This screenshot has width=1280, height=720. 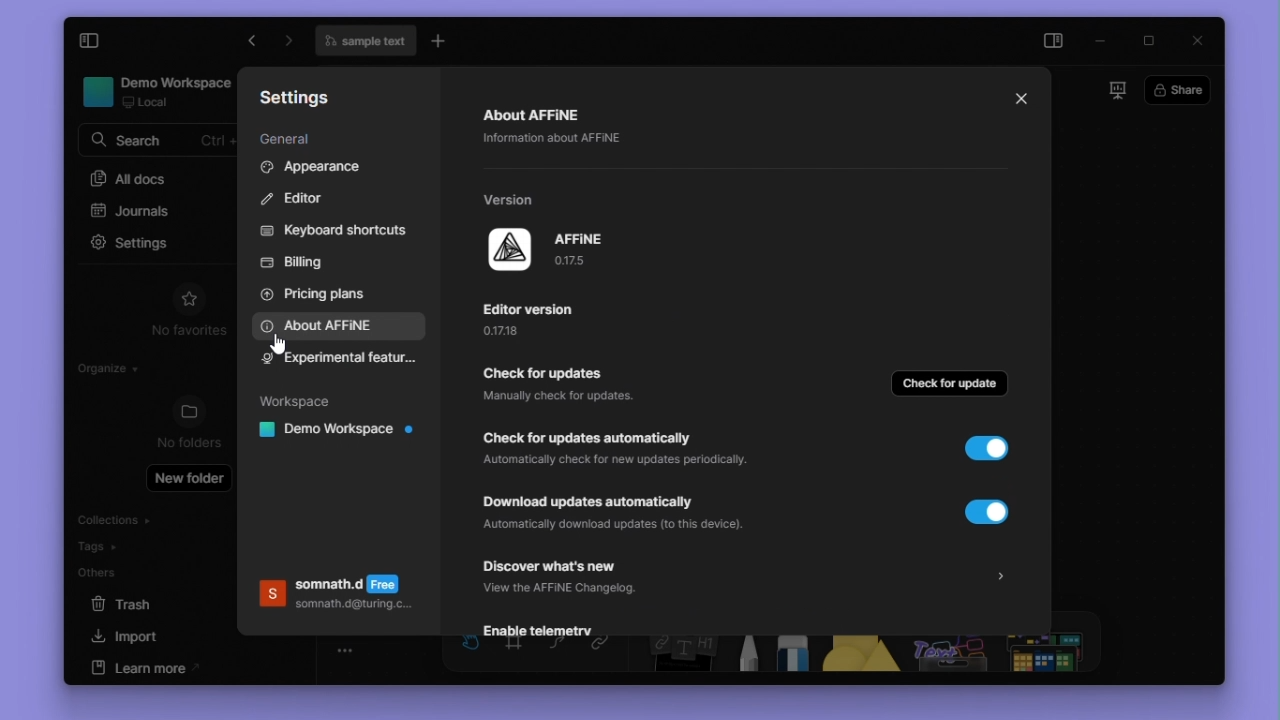 I want to click on file name, so click(x=365, y=42).